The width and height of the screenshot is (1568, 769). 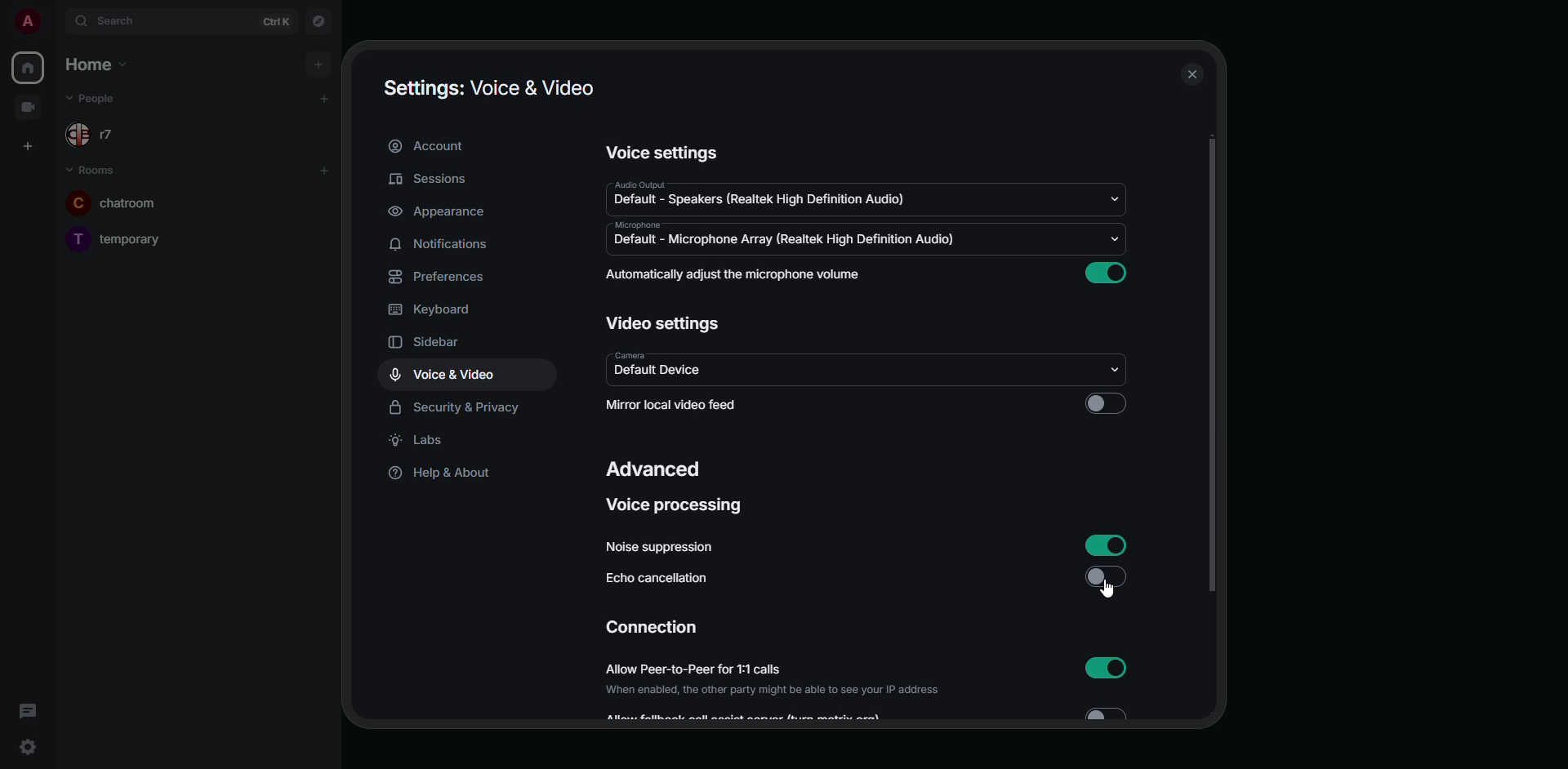 I want to click on add, so click(x=324, y=98).